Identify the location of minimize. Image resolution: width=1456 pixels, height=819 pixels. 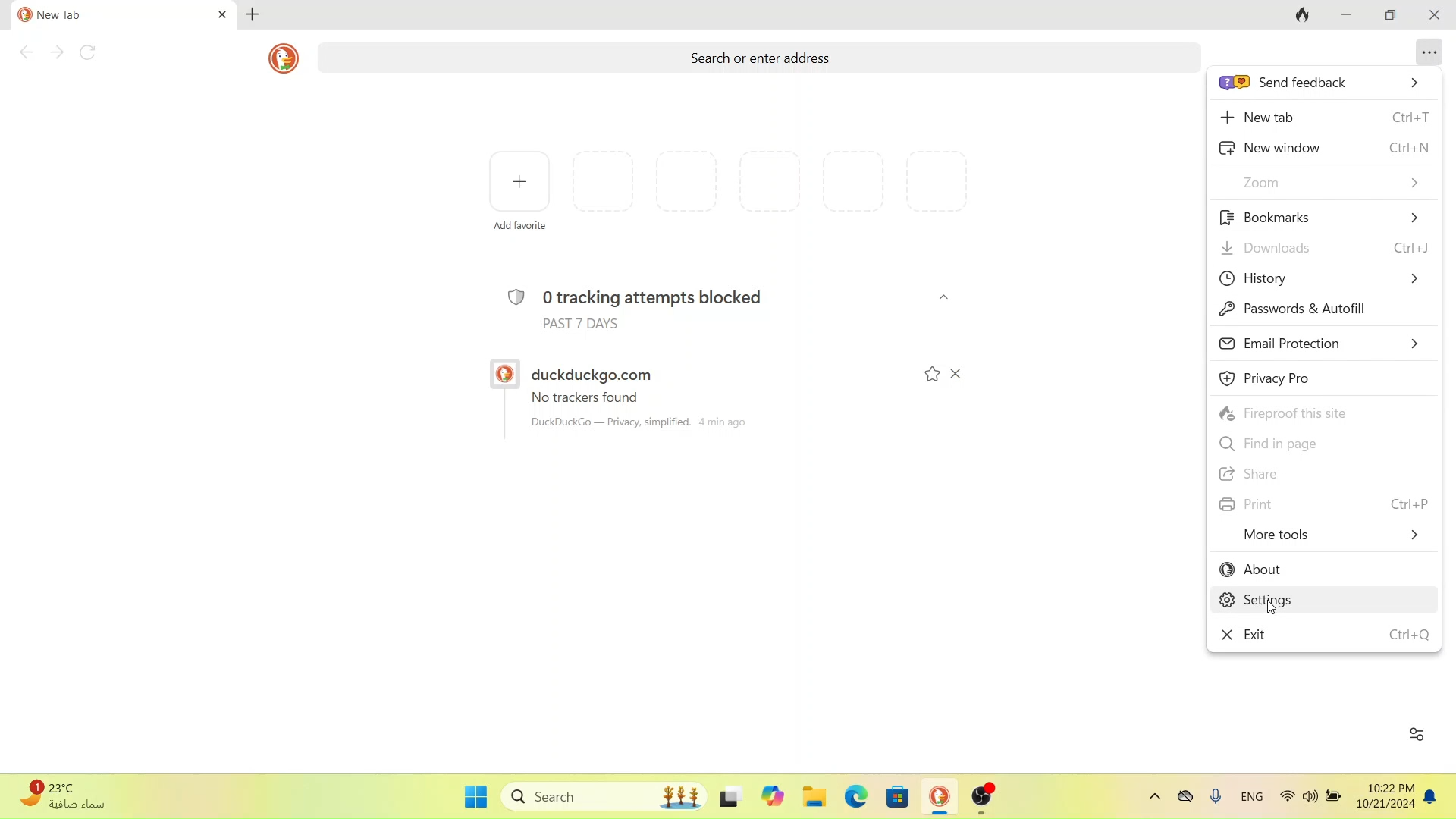
(1348, 14).